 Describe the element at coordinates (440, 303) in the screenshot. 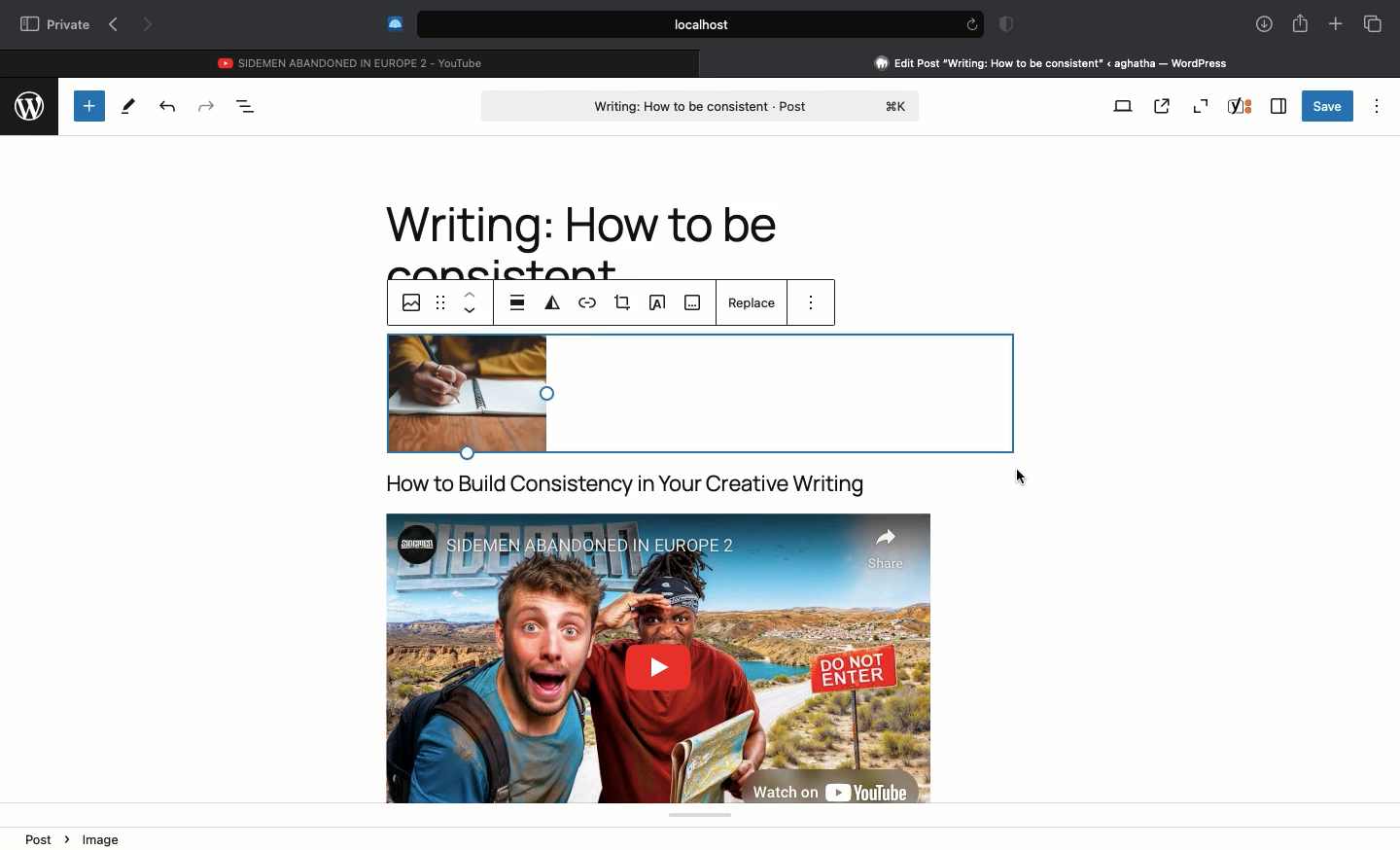

I see `options` at that location.